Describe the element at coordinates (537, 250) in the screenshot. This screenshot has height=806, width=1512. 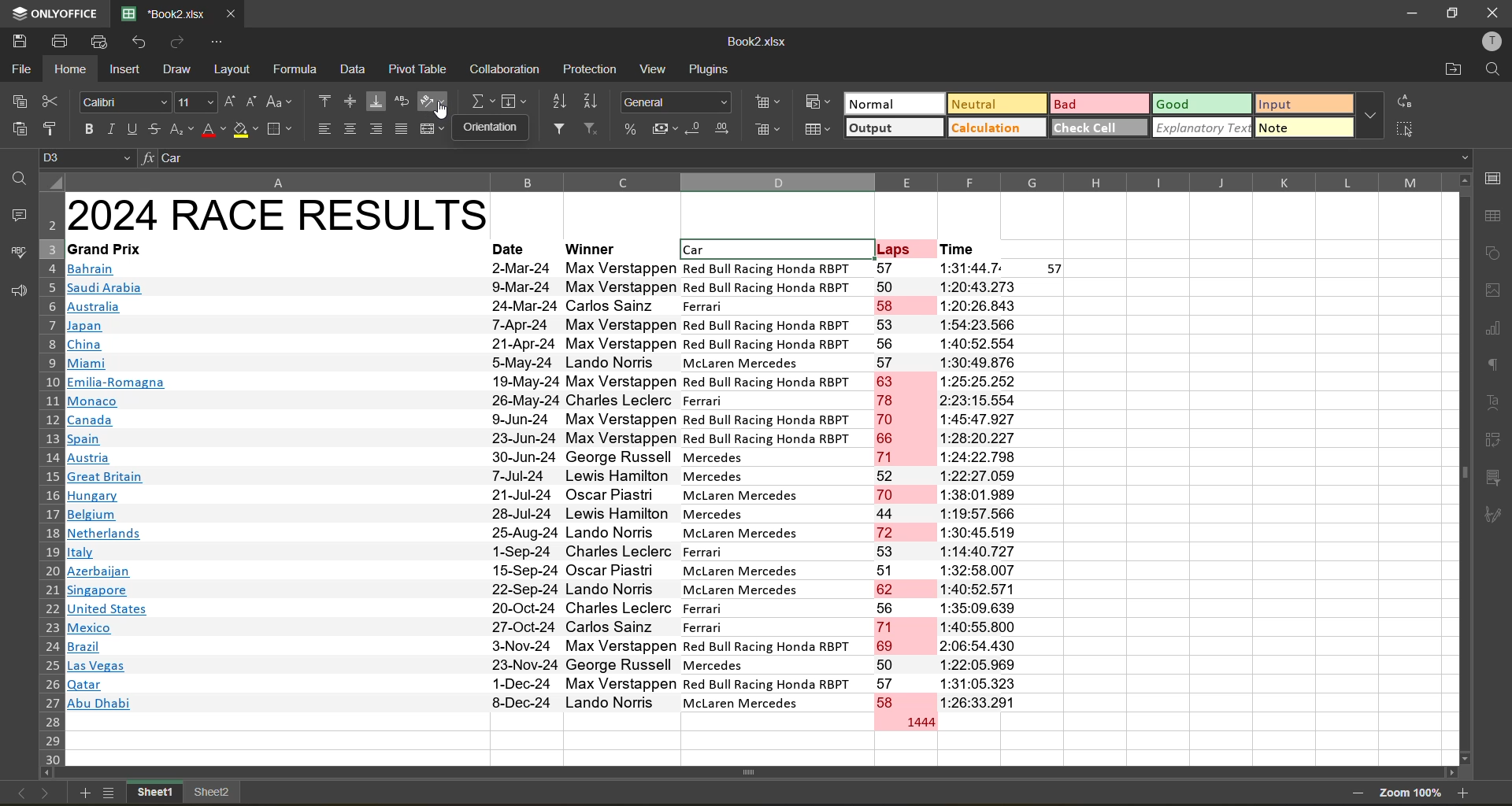
I see `Cell heading` at that location.